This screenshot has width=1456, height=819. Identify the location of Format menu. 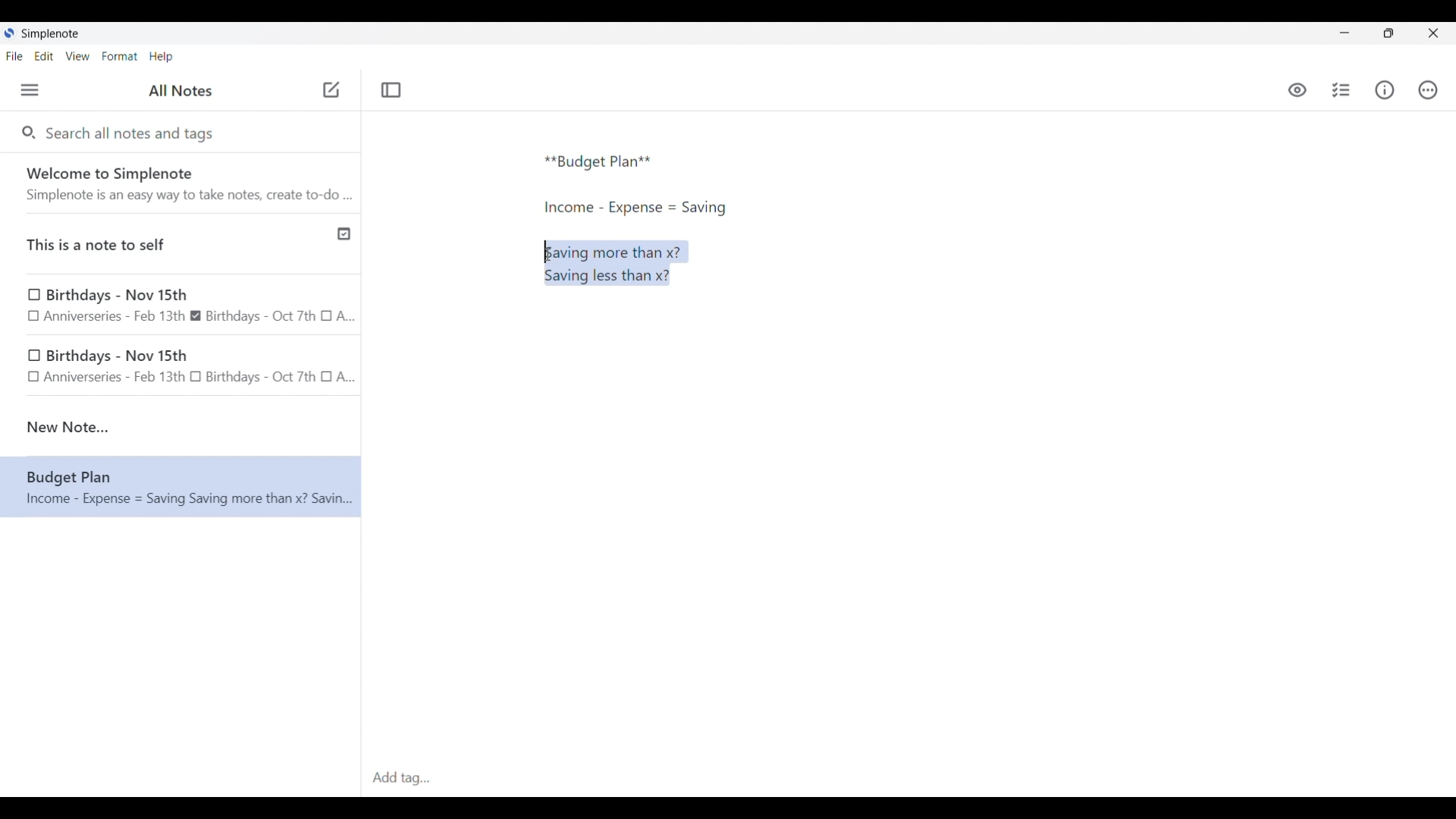
(120, 56).